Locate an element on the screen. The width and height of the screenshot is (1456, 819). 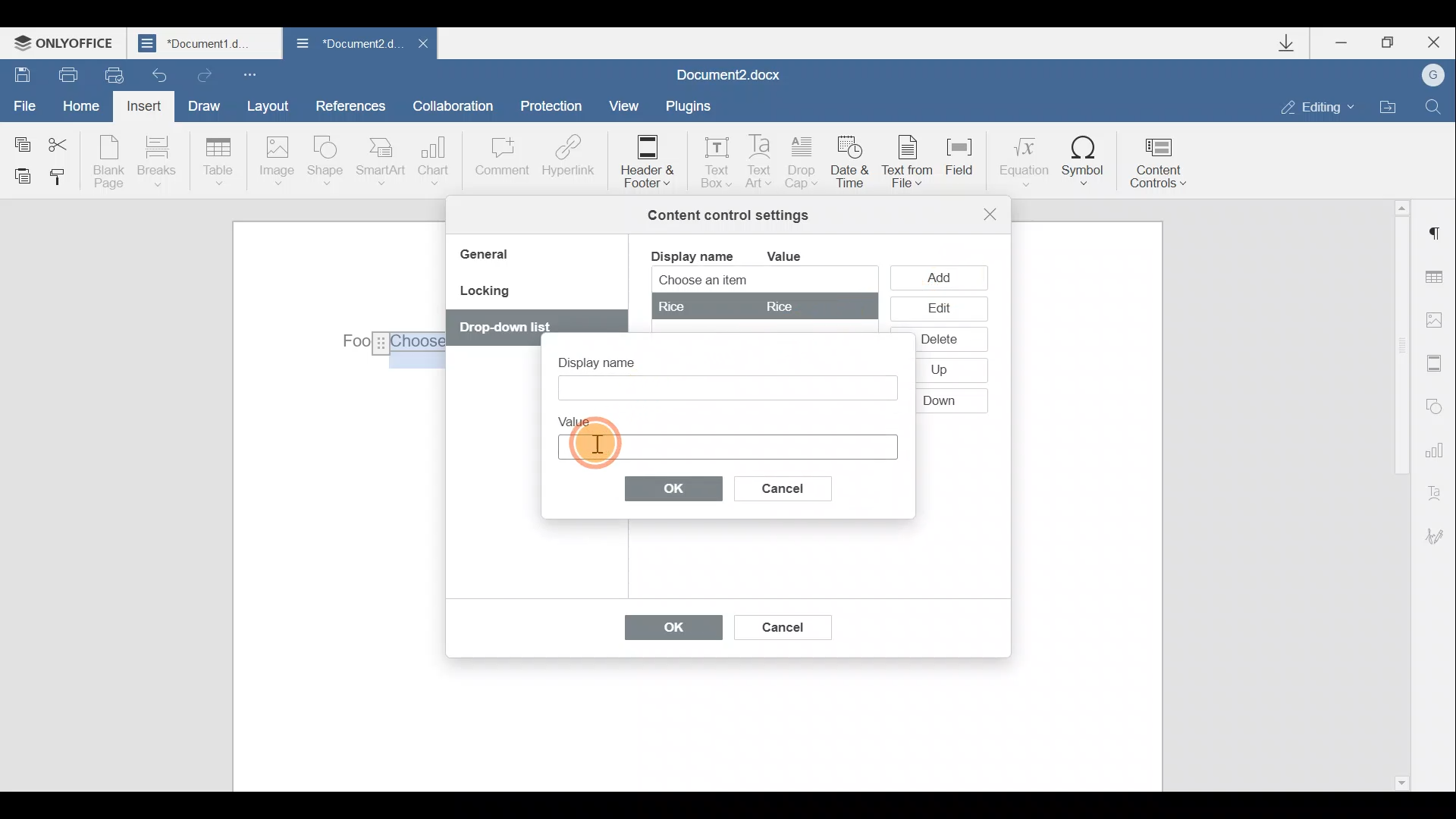
Paste is located at coordinates (17, 175).